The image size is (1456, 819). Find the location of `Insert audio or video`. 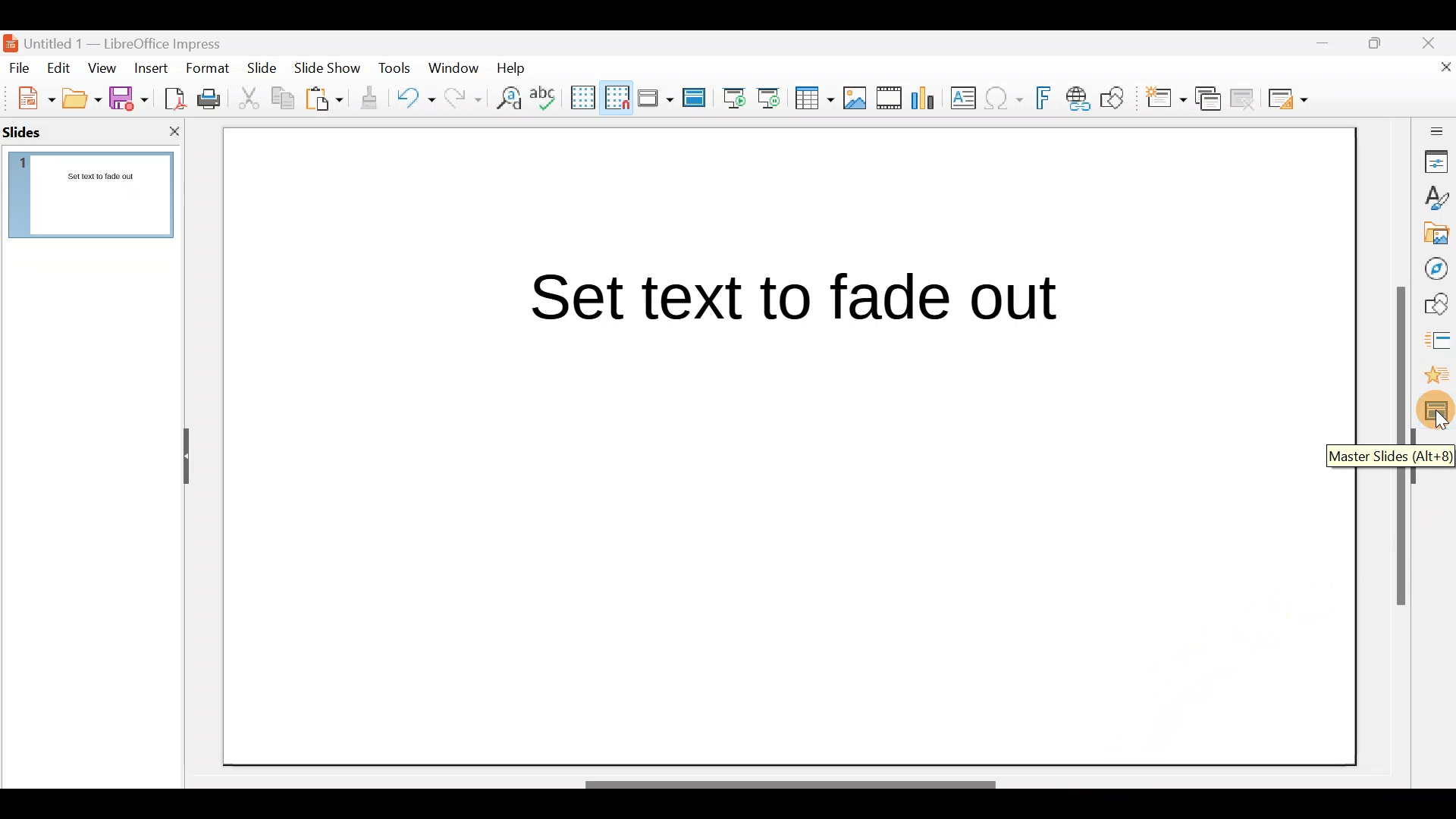

Insert audio or video is located at coordinates (890, 101).